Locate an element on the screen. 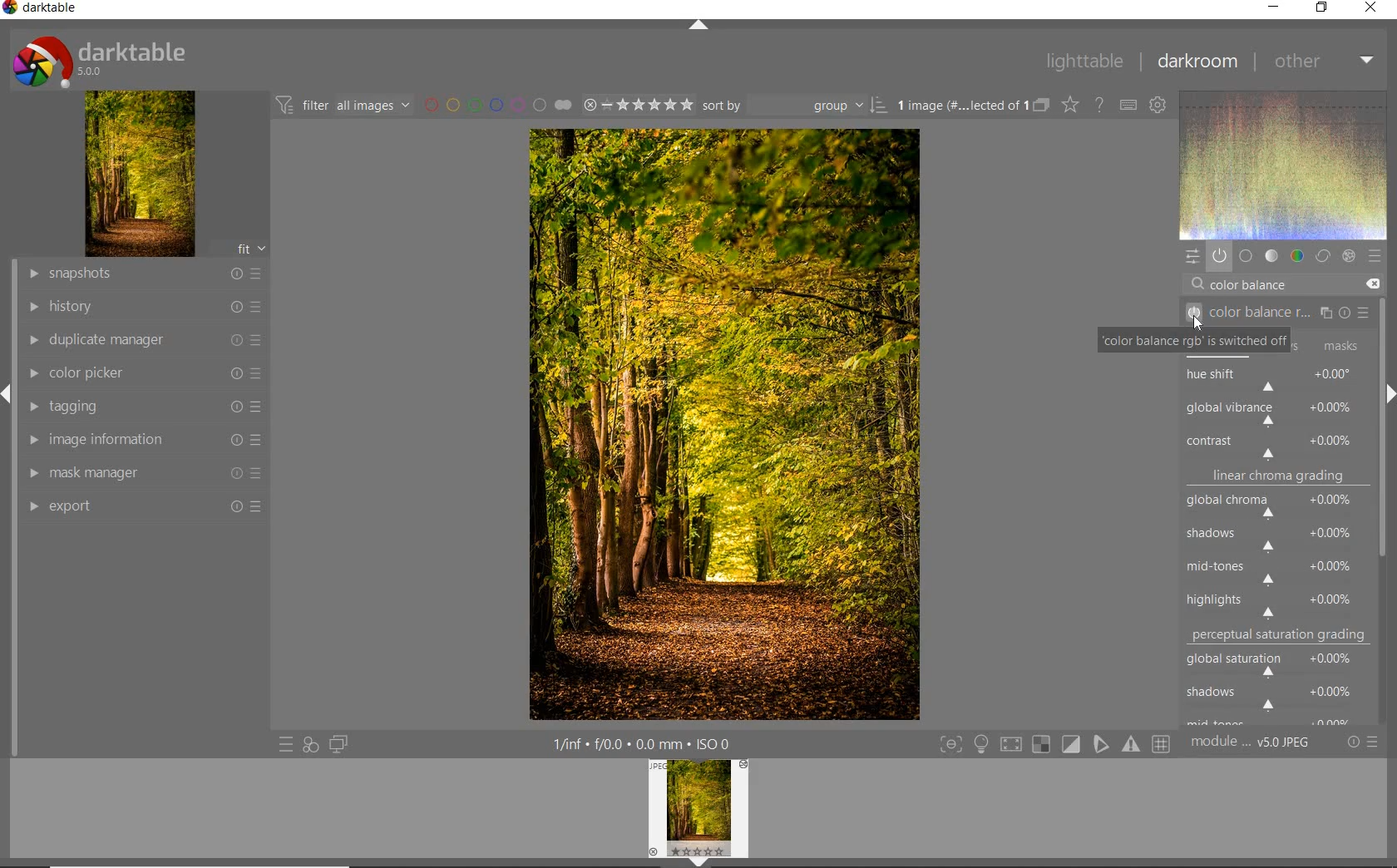  quick access to preset is located at coordinates (285, 742).